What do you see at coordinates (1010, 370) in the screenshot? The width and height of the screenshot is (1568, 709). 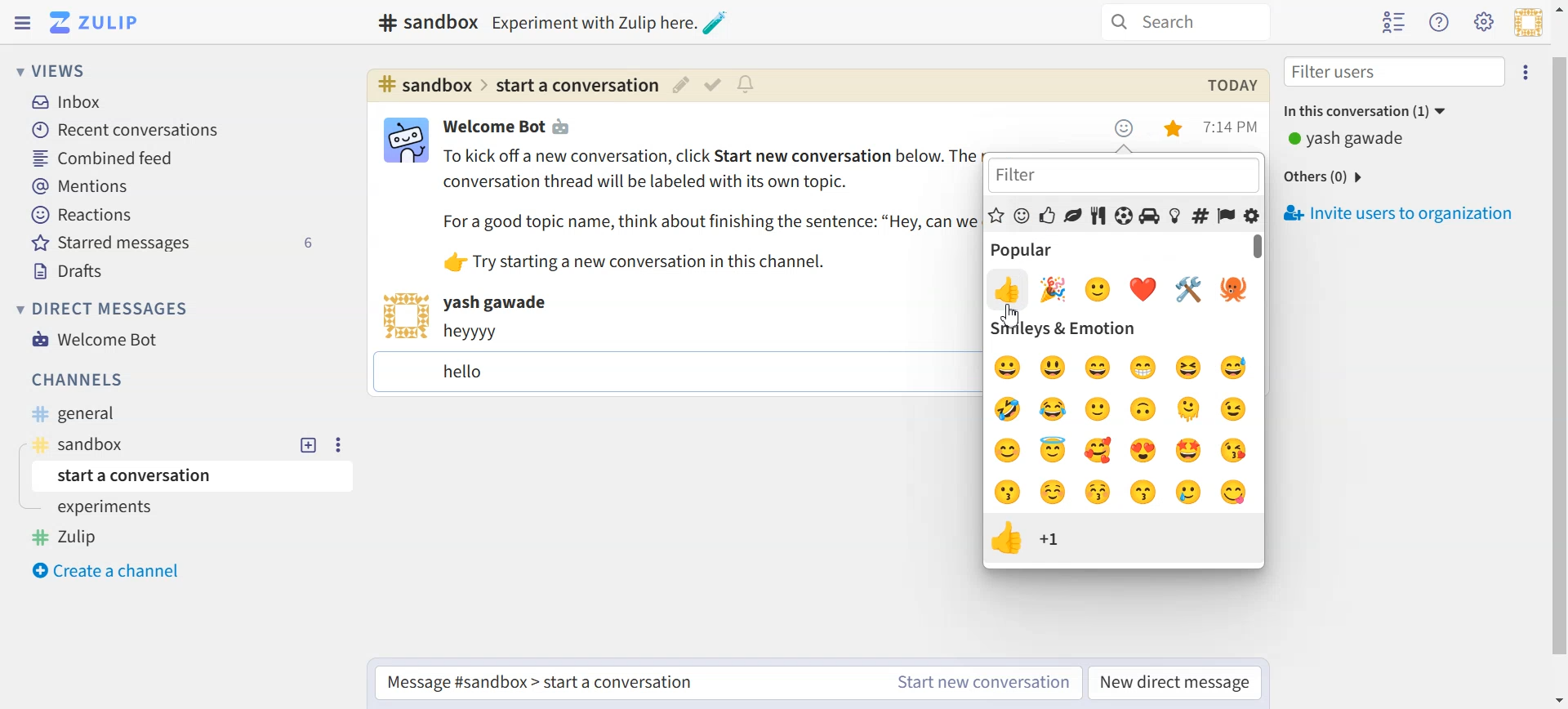 I see `grinning` at bounding box center [1010, 370].